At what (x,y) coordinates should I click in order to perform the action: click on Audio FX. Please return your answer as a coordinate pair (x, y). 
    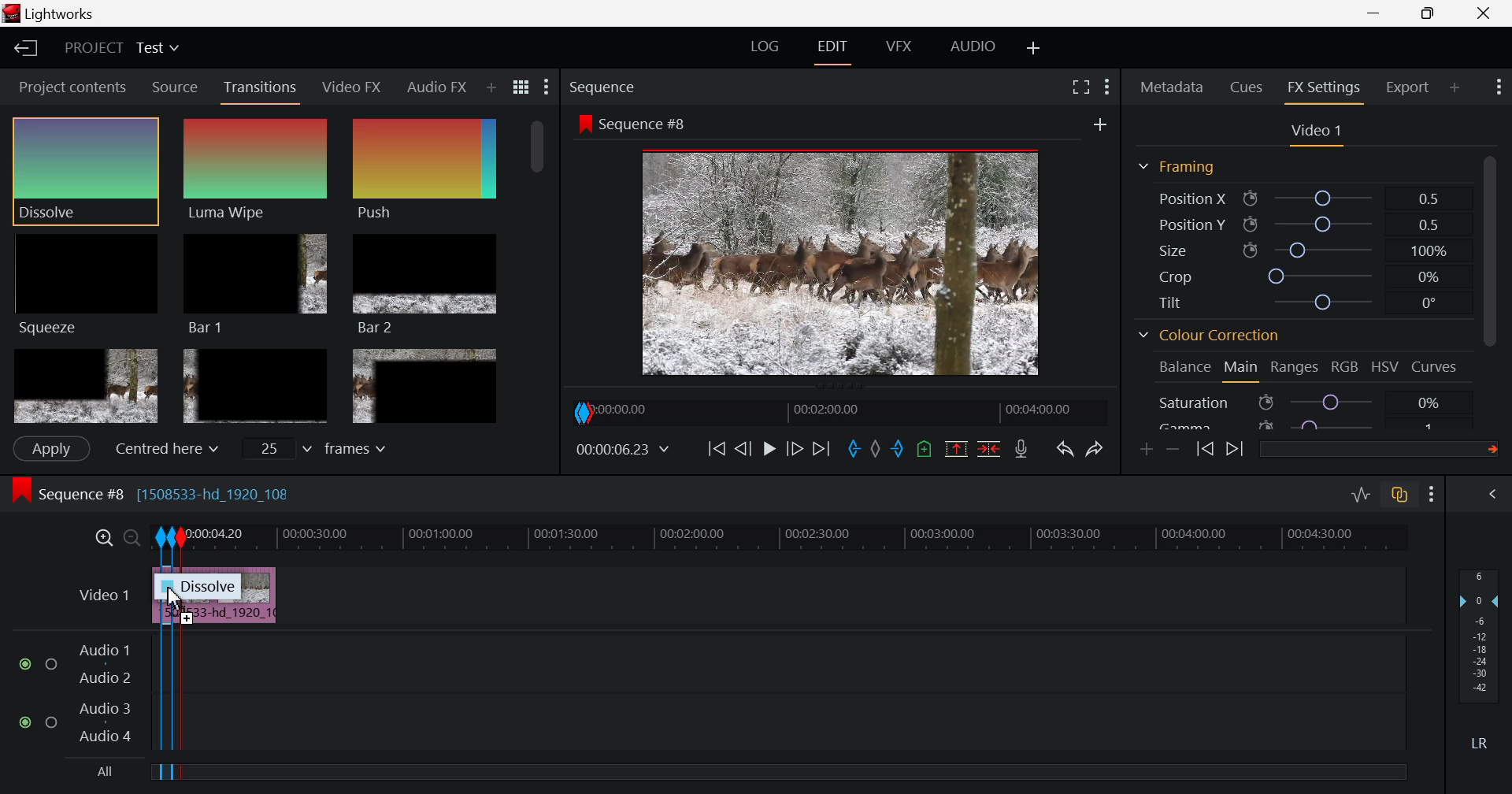
    Looking at the image, I should click on (435, 88).